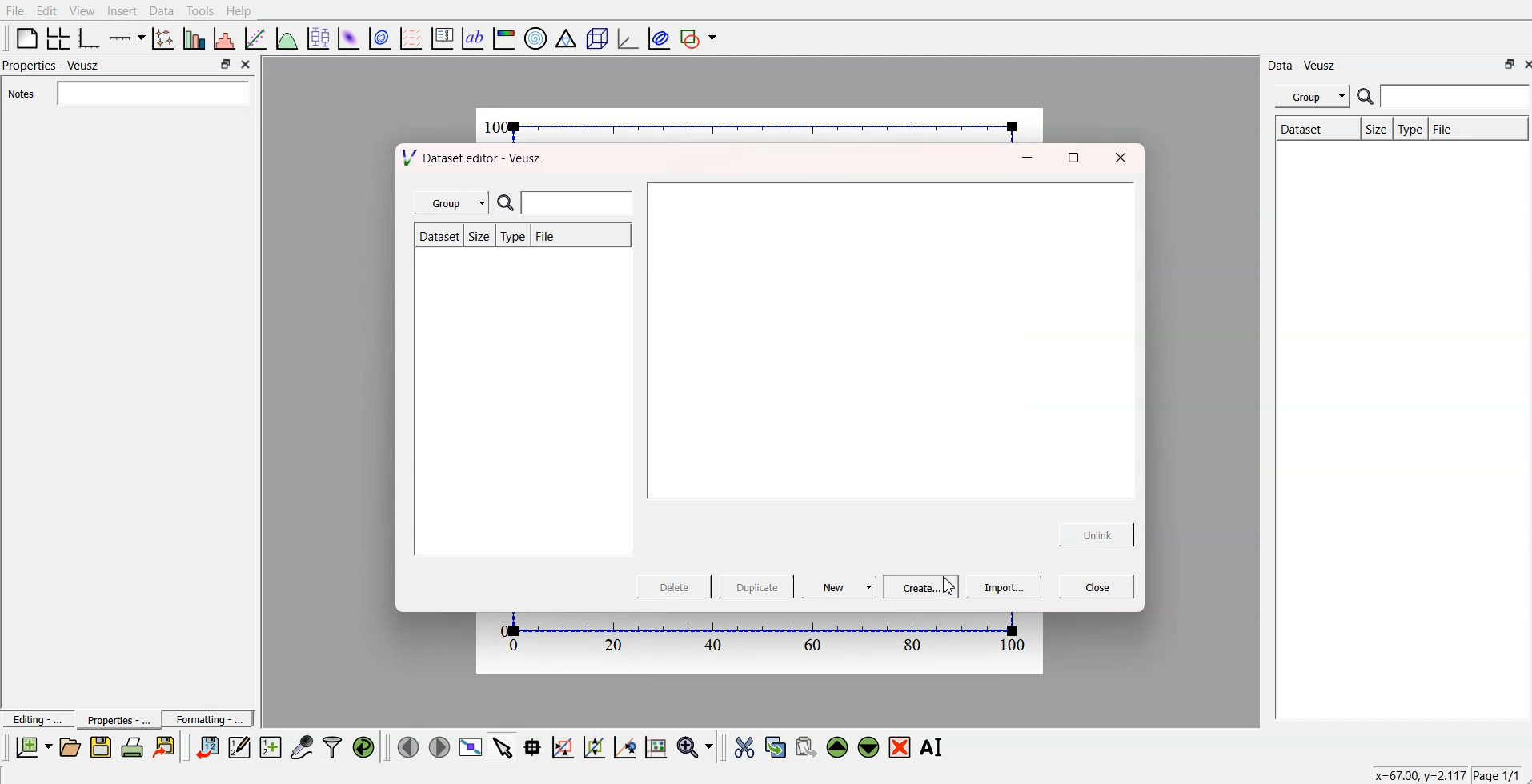  I want to click on arrange a graph in a grid, so click(59, 37).